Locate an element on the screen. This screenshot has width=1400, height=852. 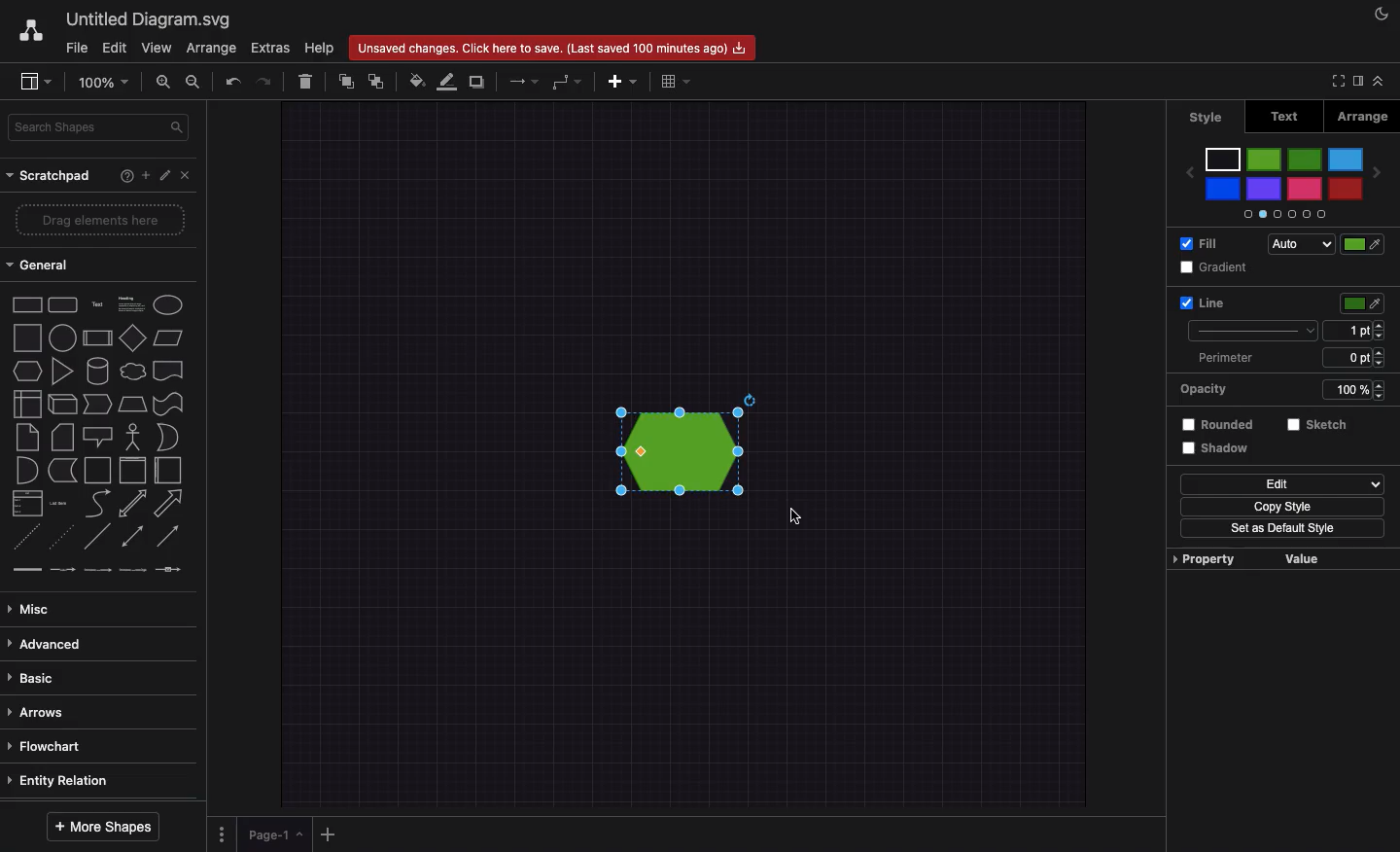
Entity relation is located at coordinates (68, 781).